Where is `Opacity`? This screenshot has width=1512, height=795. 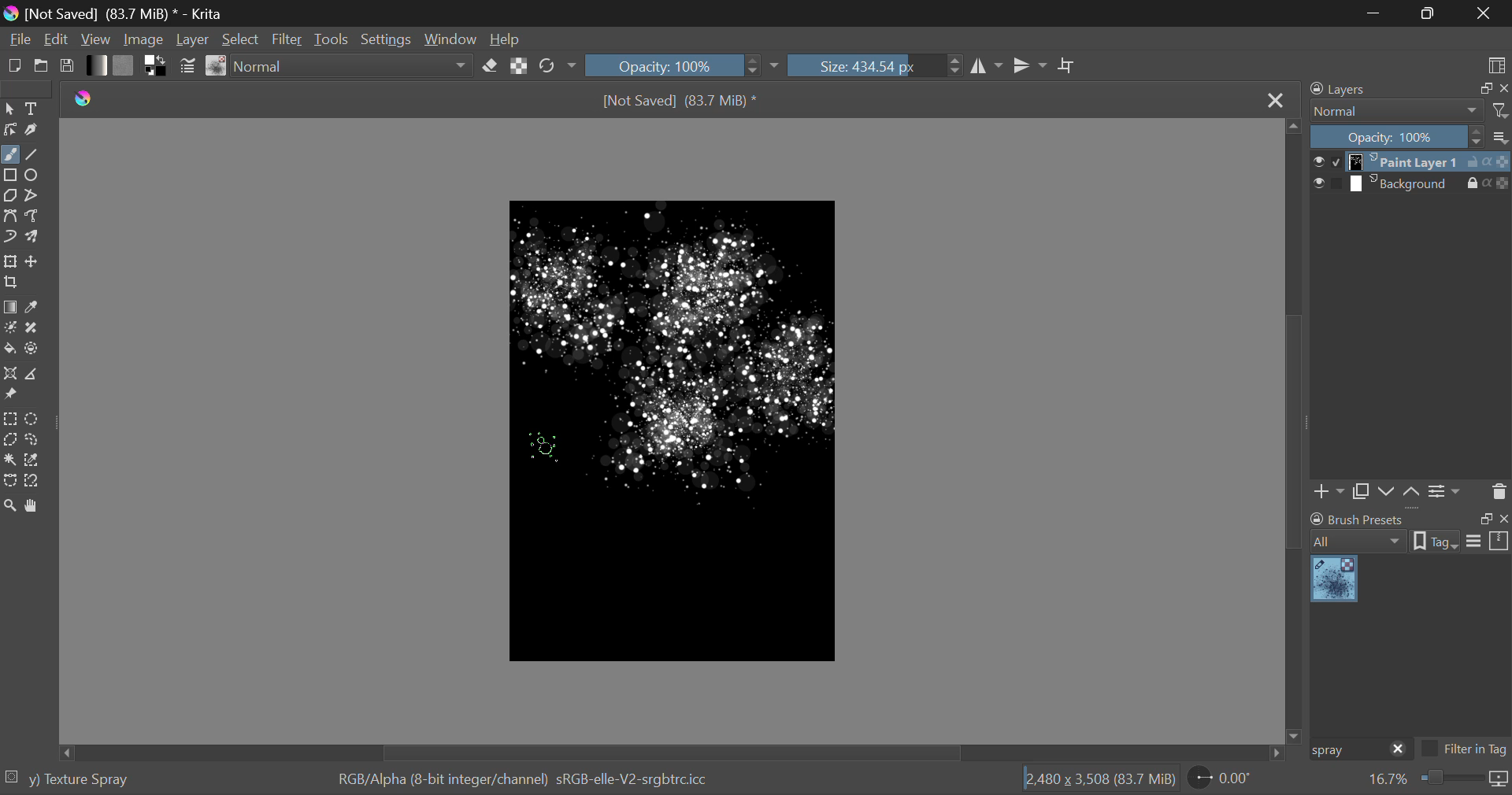 Opacity is located at coordinates (684, 65).